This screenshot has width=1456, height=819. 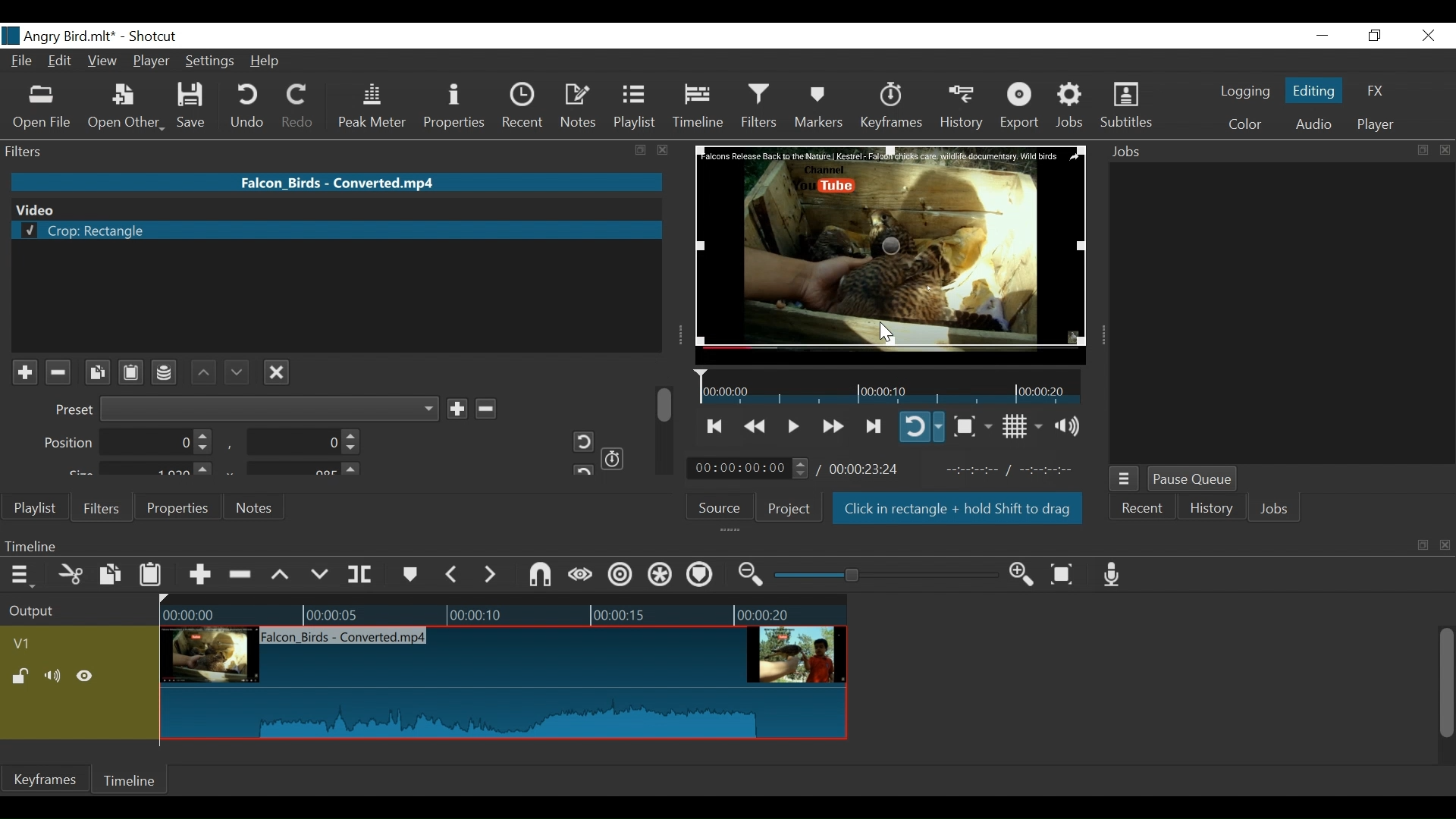 I want to click on Recent, so click(x=1141, y=510).